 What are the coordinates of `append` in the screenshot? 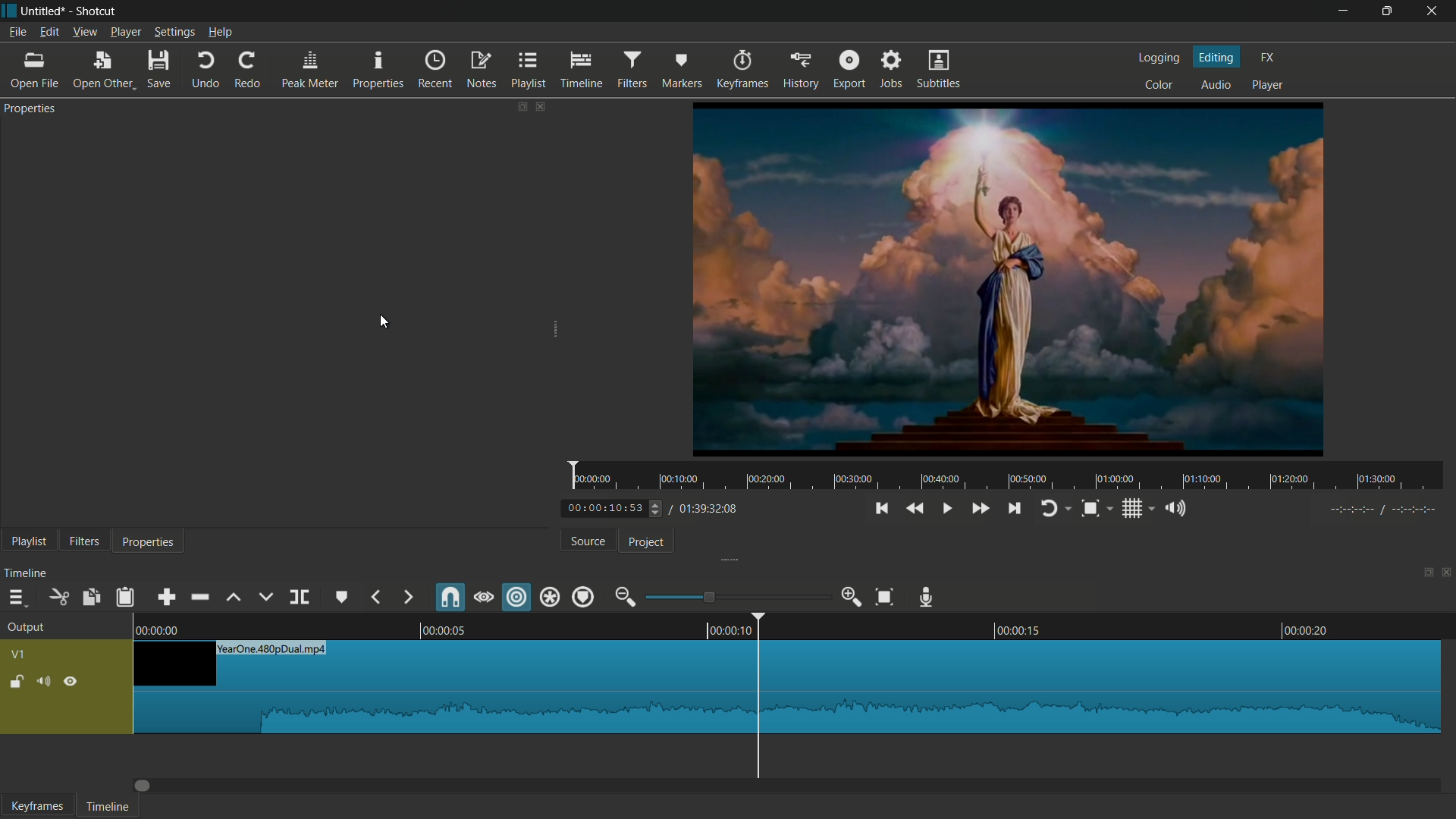 It's located at (168, 596).